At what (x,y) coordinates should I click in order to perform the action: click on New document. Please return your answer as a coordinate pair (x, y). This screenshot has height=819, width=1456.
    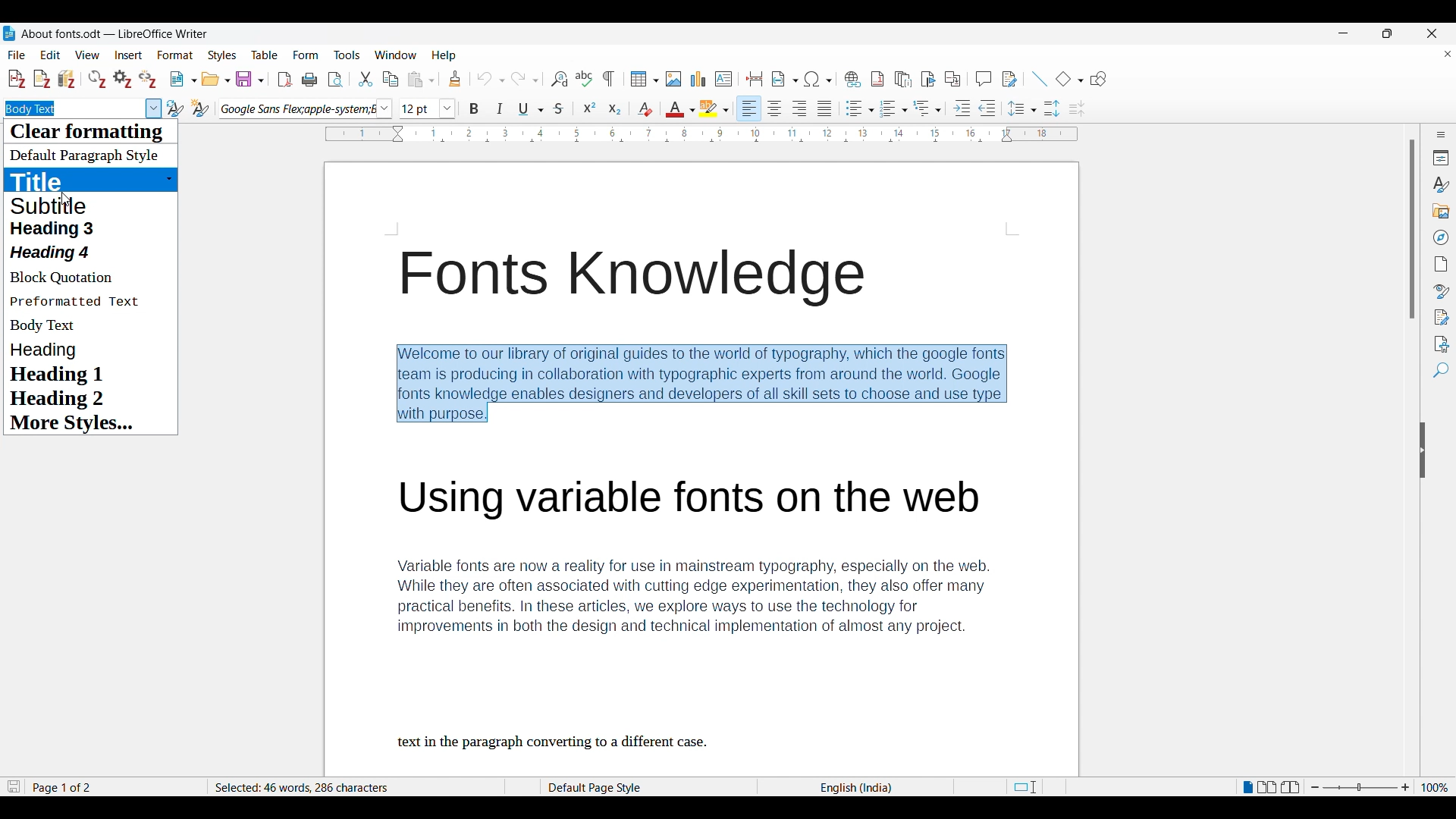
    Looking at the image, I should click on (184, 79).